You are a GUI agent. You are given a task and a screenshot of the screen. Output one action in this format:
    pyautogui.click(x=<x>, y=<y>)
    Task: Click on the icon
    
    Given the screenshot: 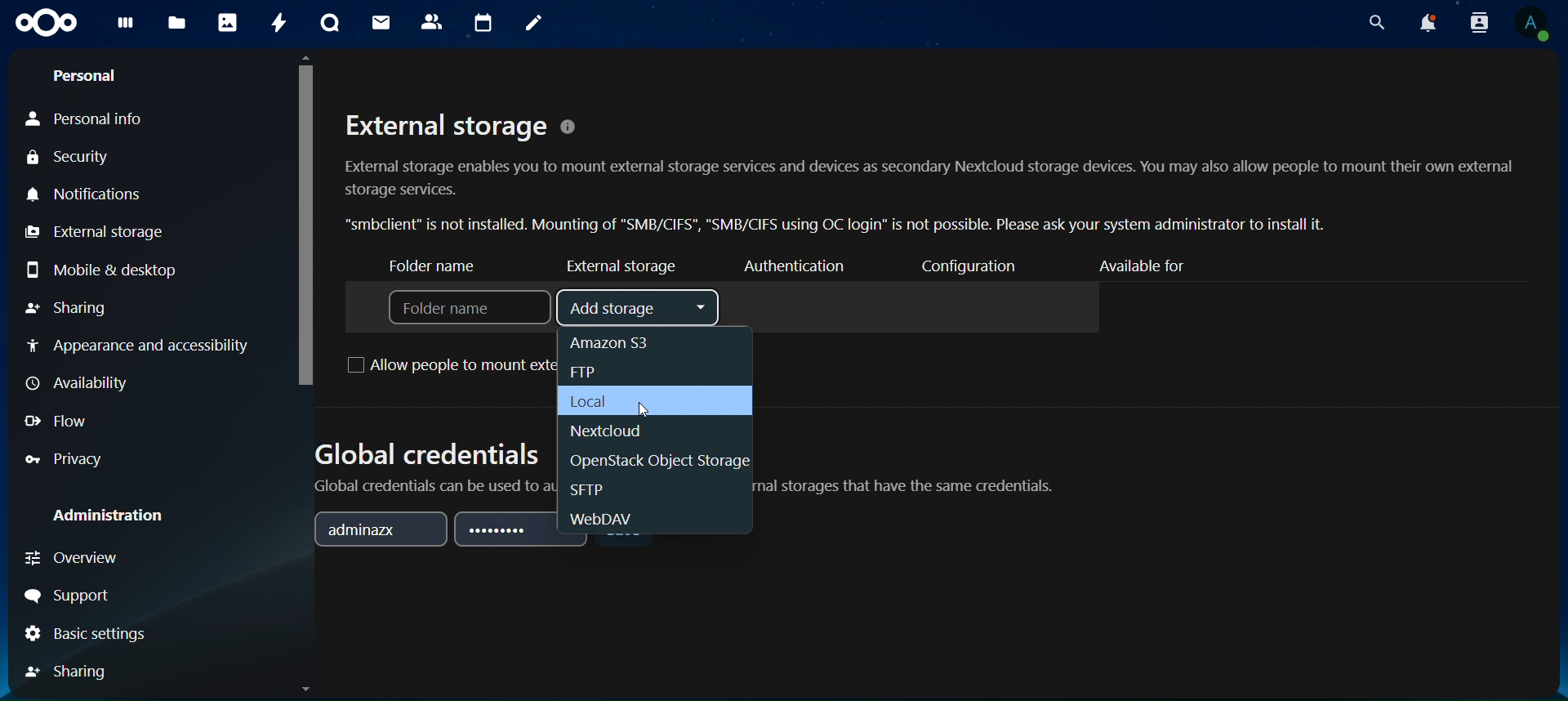 What is the action you would take?
    pyautogui.click(x=46, y=21)
    